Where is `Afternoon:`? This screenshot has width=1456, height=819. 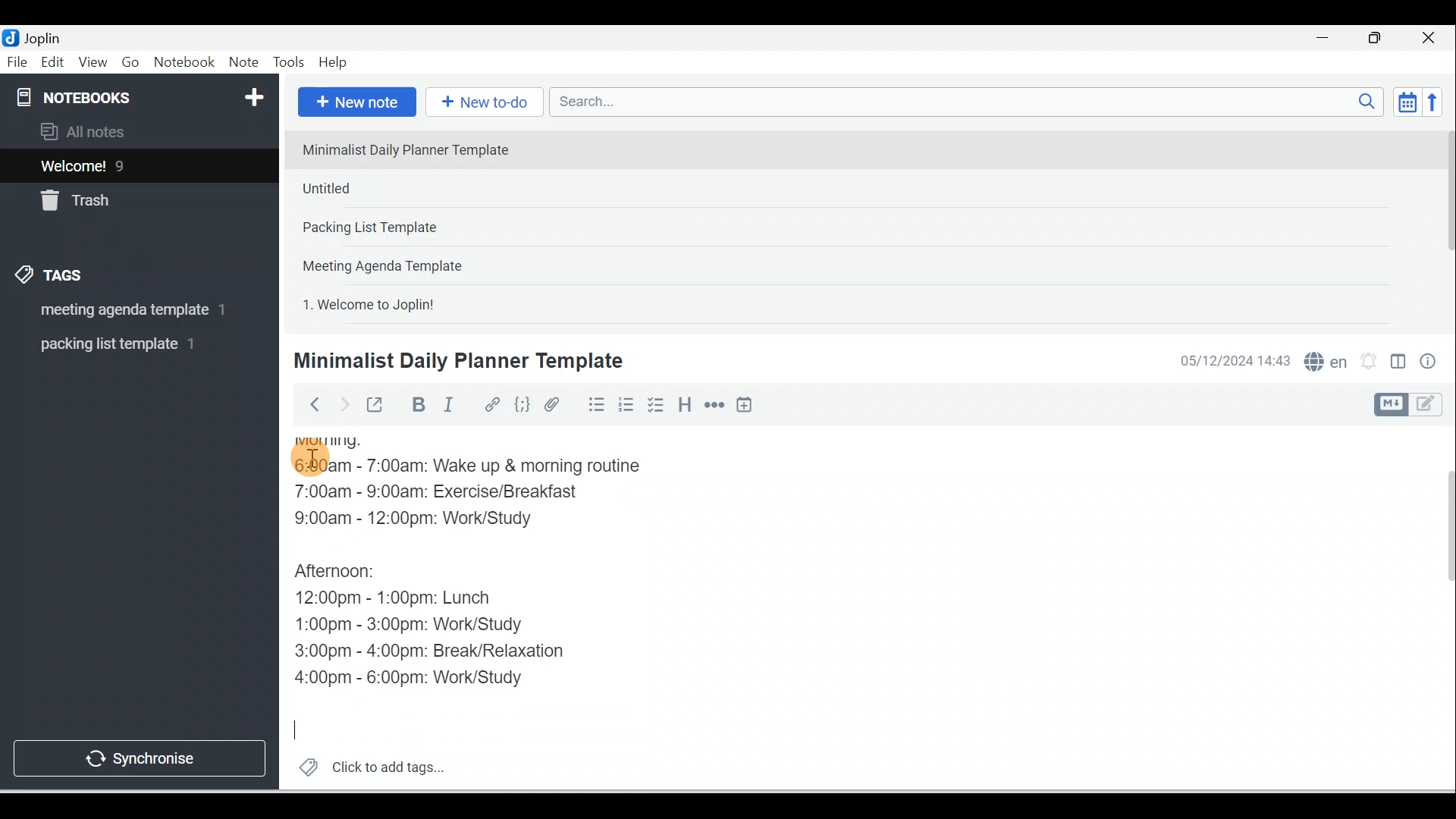
Afternoon: is located at coordinates (349, 573).